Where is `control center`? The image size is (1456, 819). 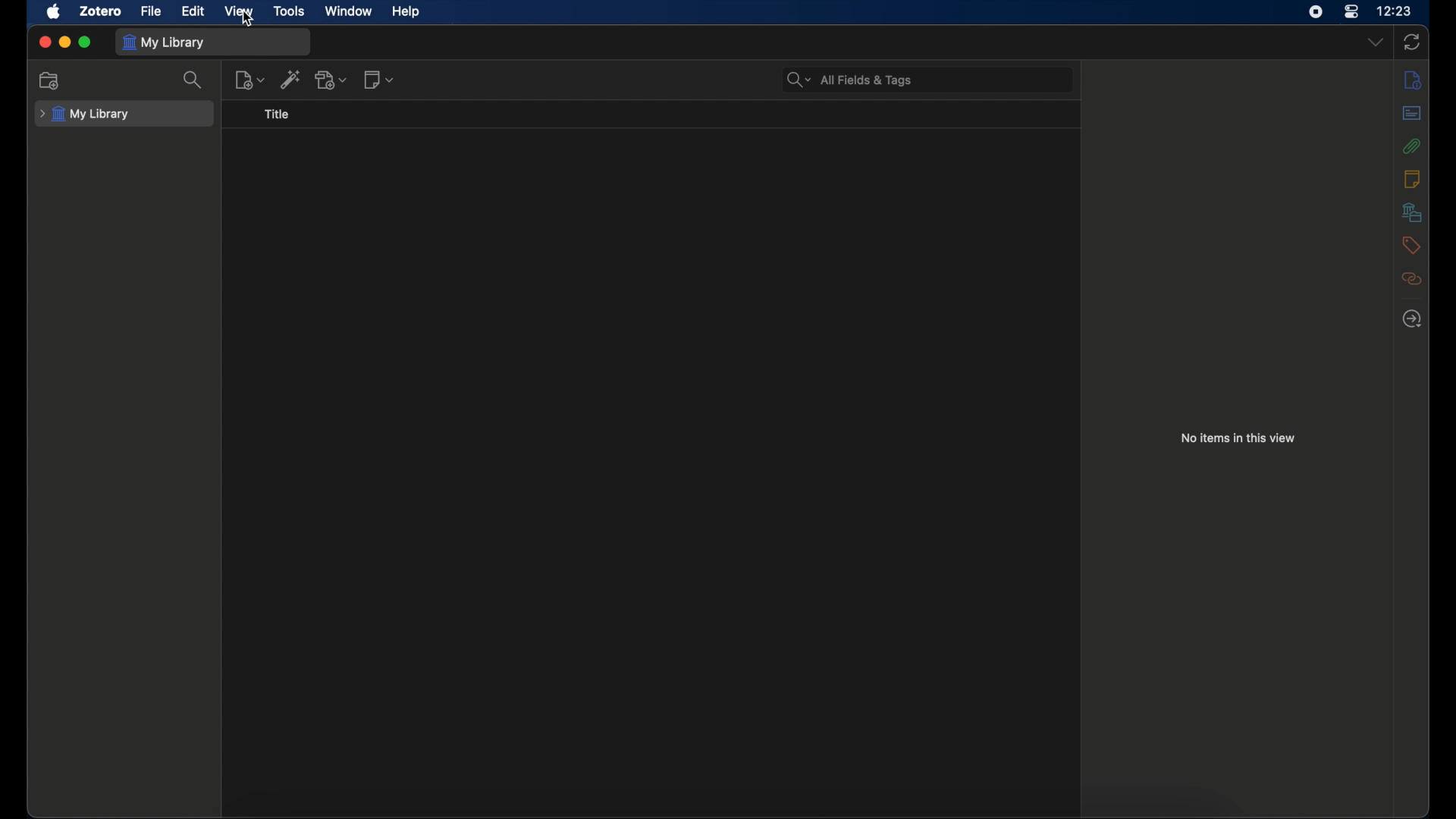 control center is located at coordinates (1351, 12).